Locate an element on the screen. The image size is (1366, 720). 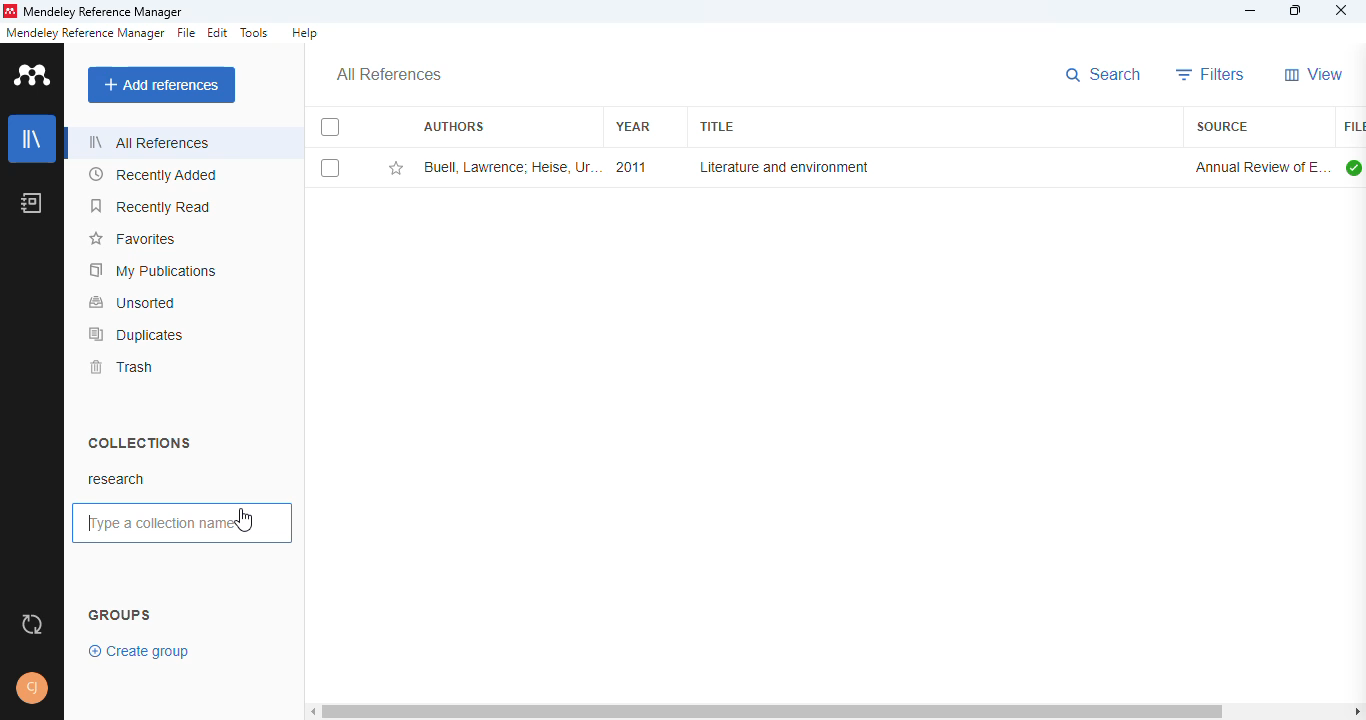
logo is located at coordinates (33, 75).